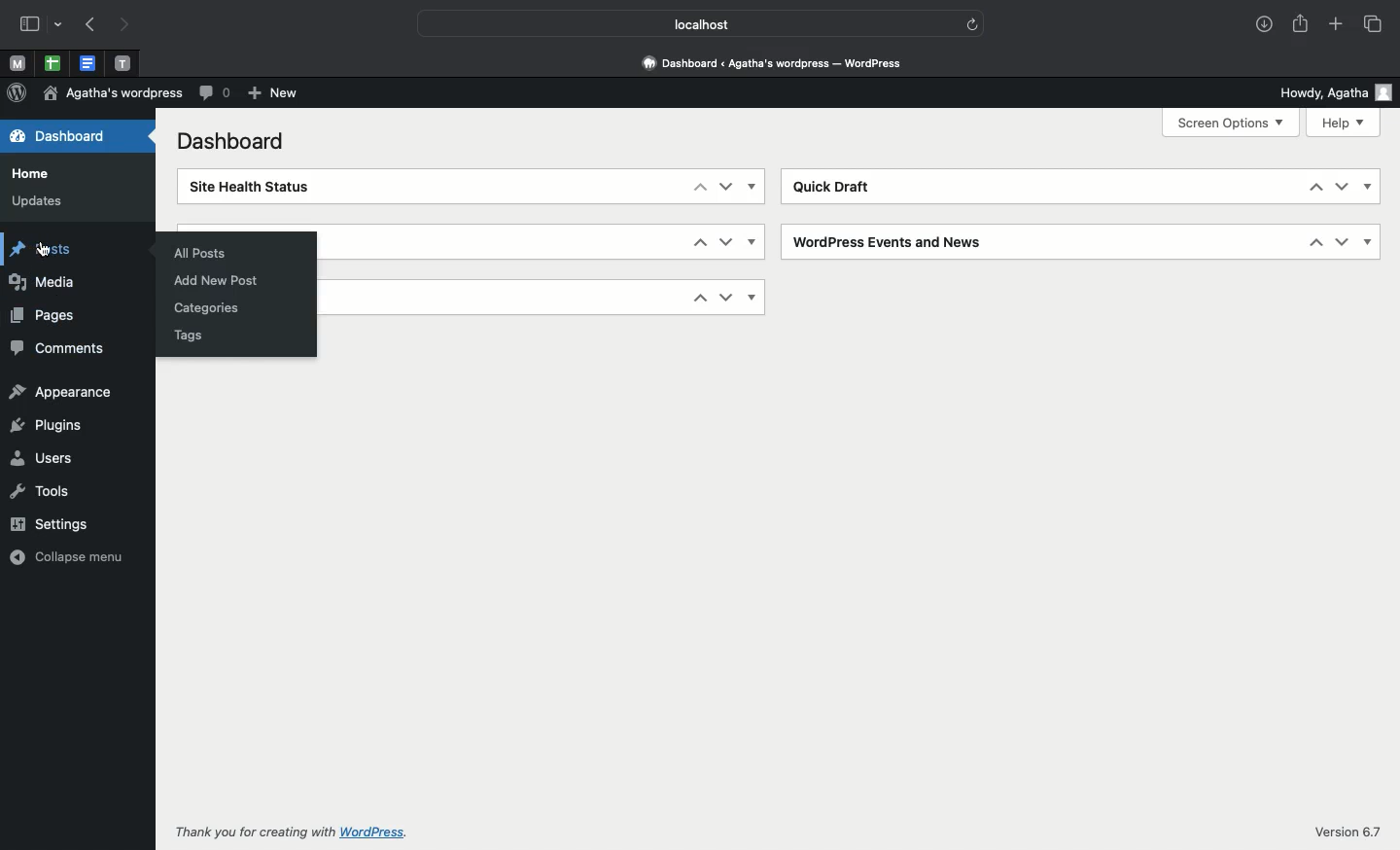 The height and width of the screenshot is (850, 1400). Describe the element at coordinates (189, 335) in the screenshot. I see `Tags` at that location.